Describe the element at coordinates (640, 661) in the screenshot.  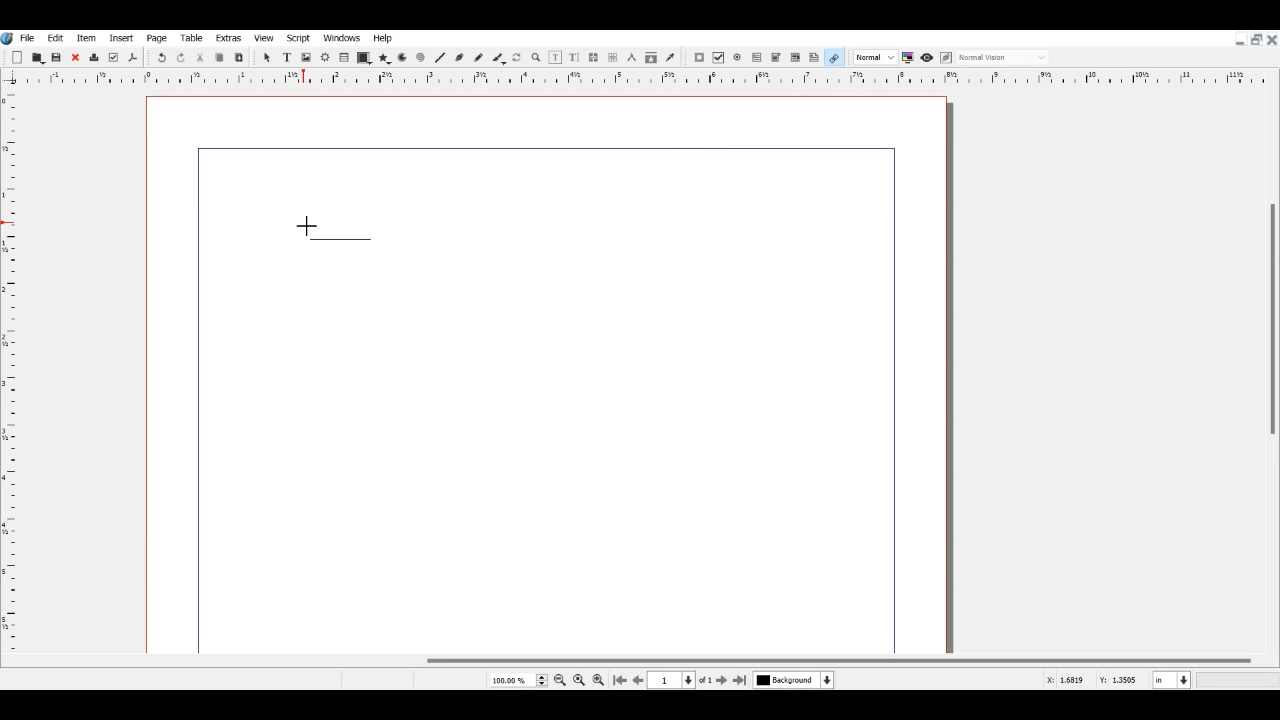
I see `Horizontal Scroll bar` at that location.